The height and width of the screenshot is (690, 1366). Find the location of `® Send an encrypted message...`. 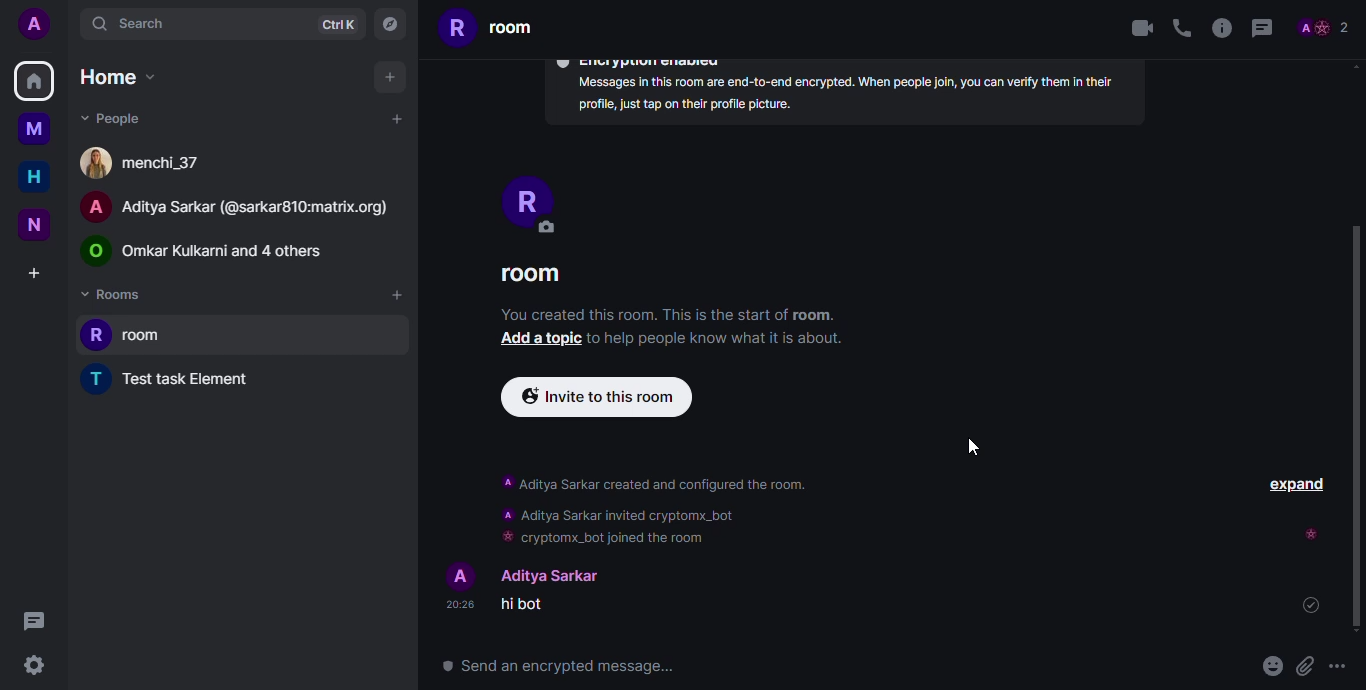

® Send an encrypted message... is located at coordinates (562, 665).